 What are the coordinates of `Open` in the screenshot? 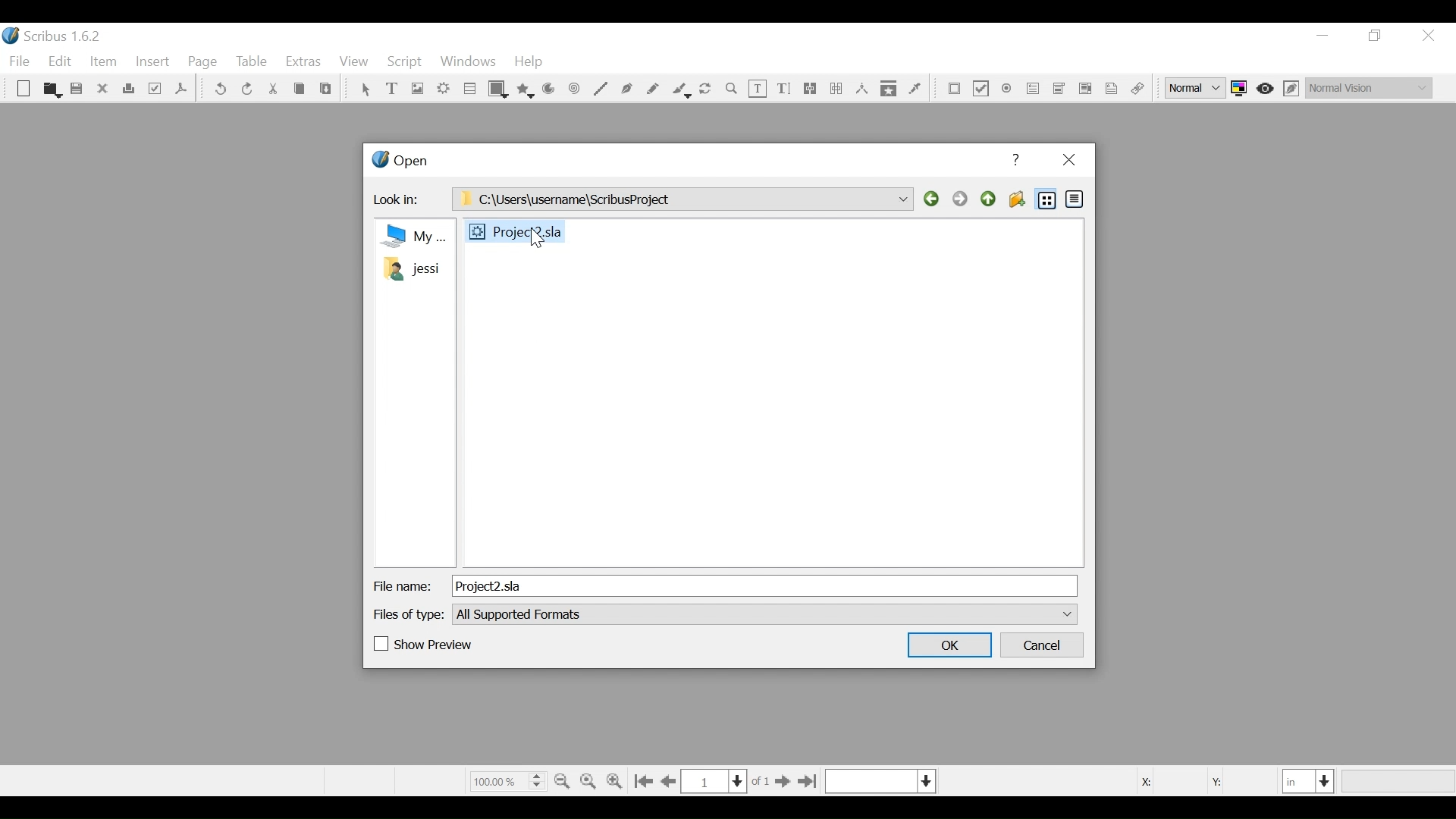 It's located at (51, 89).